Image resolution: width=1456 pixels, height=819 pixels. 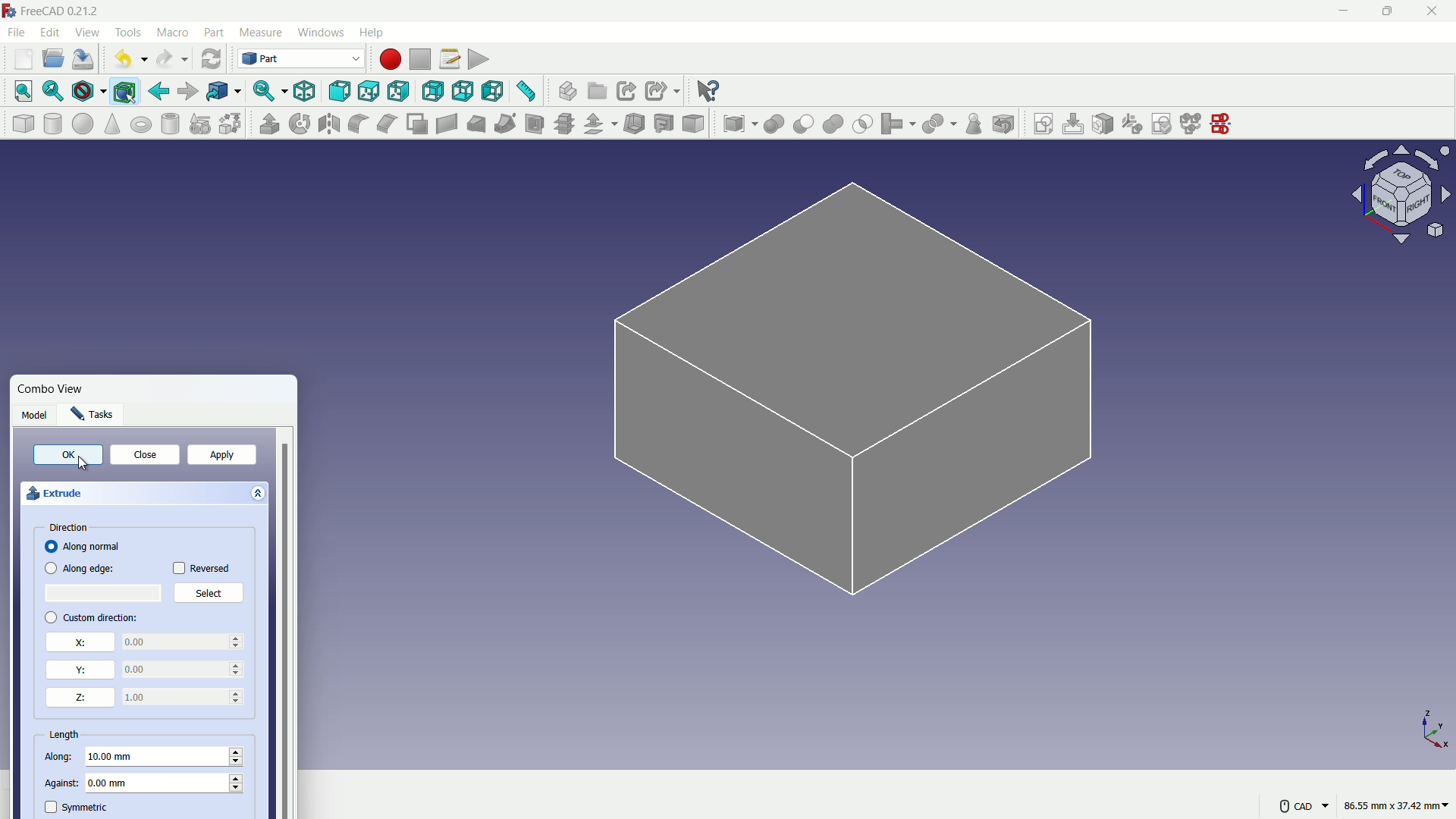 I want to click on create sub link, so click(x=662, y=90).